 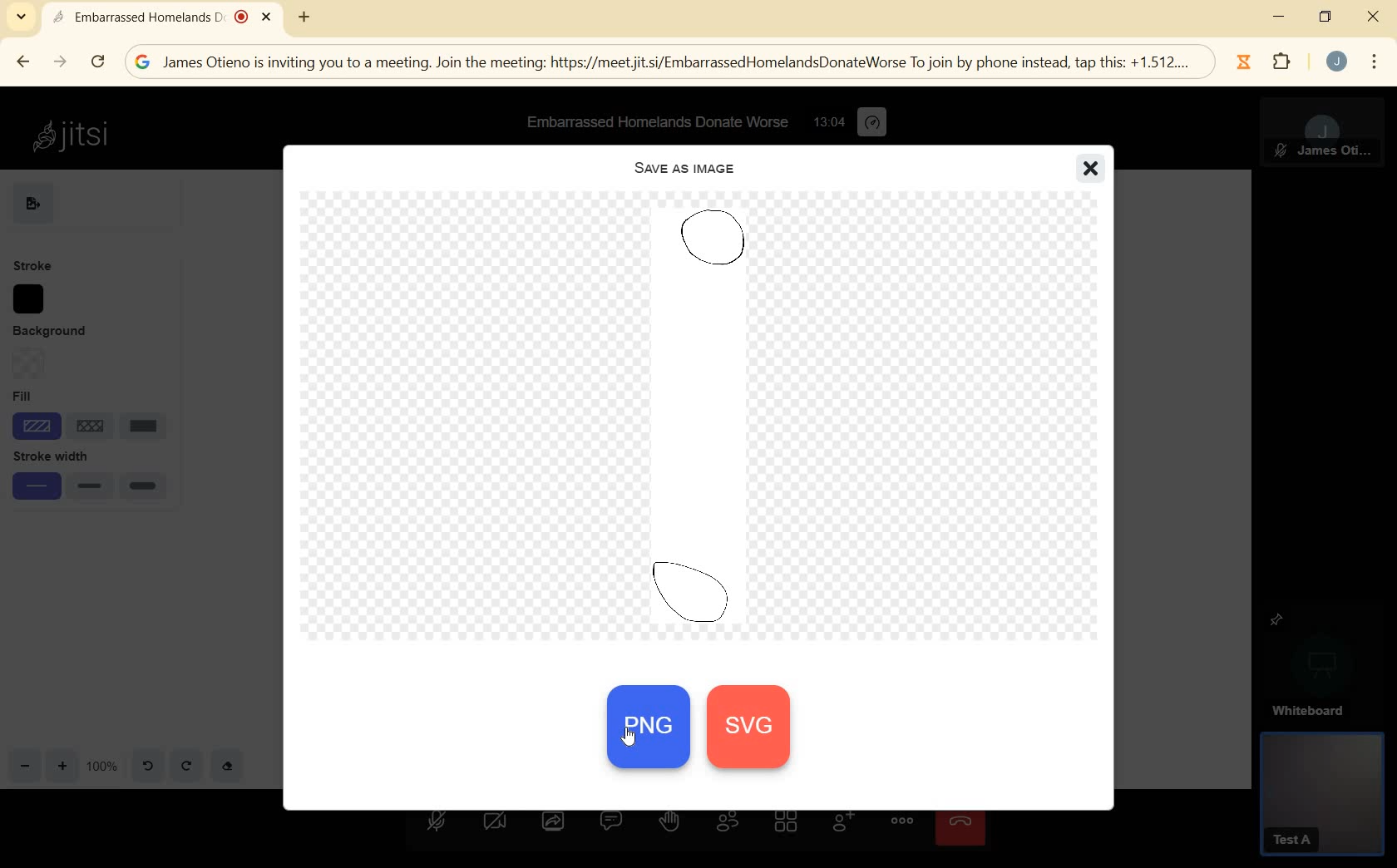 I want to click on STROKE, so click(x=32, y=266).